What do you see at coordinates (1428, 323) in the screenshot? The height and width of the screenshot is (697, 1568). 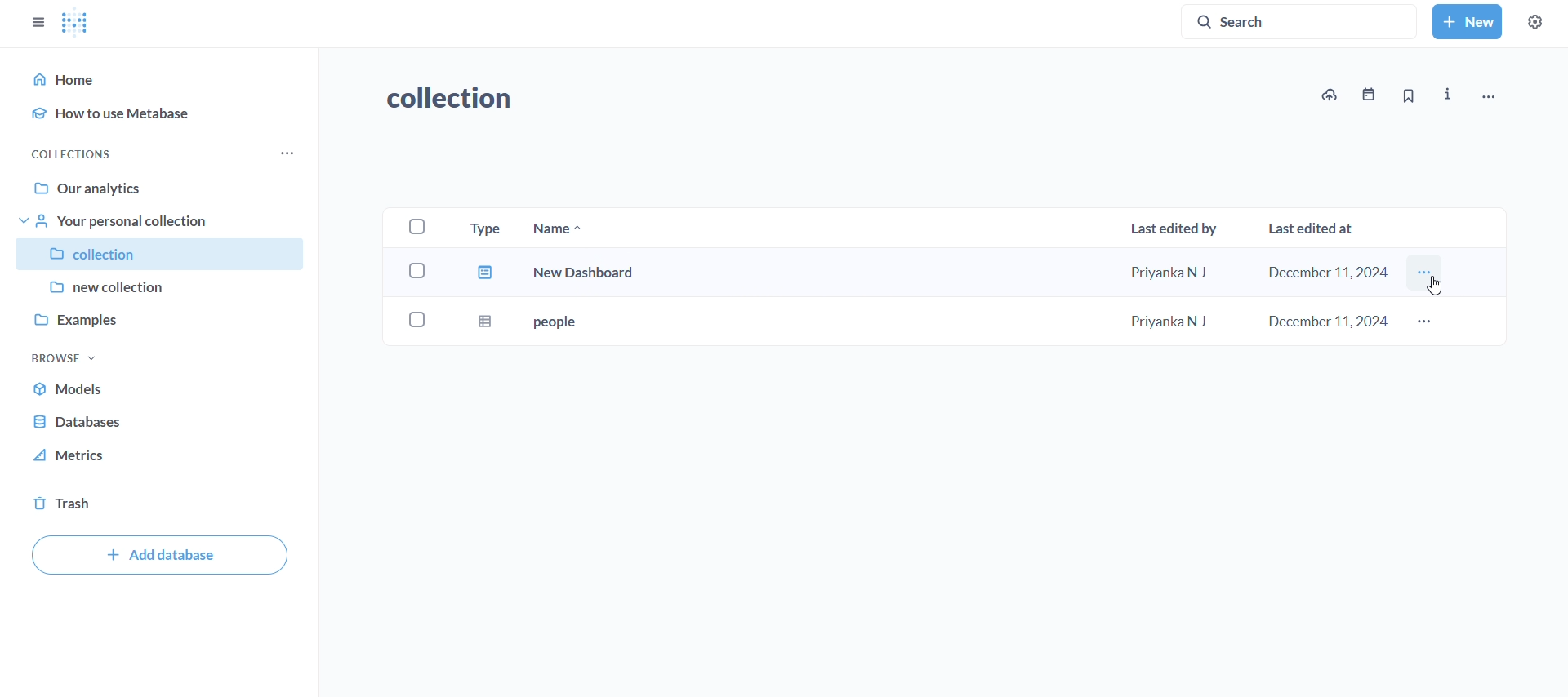 I see `more ` at bounding box center [1428, 323].